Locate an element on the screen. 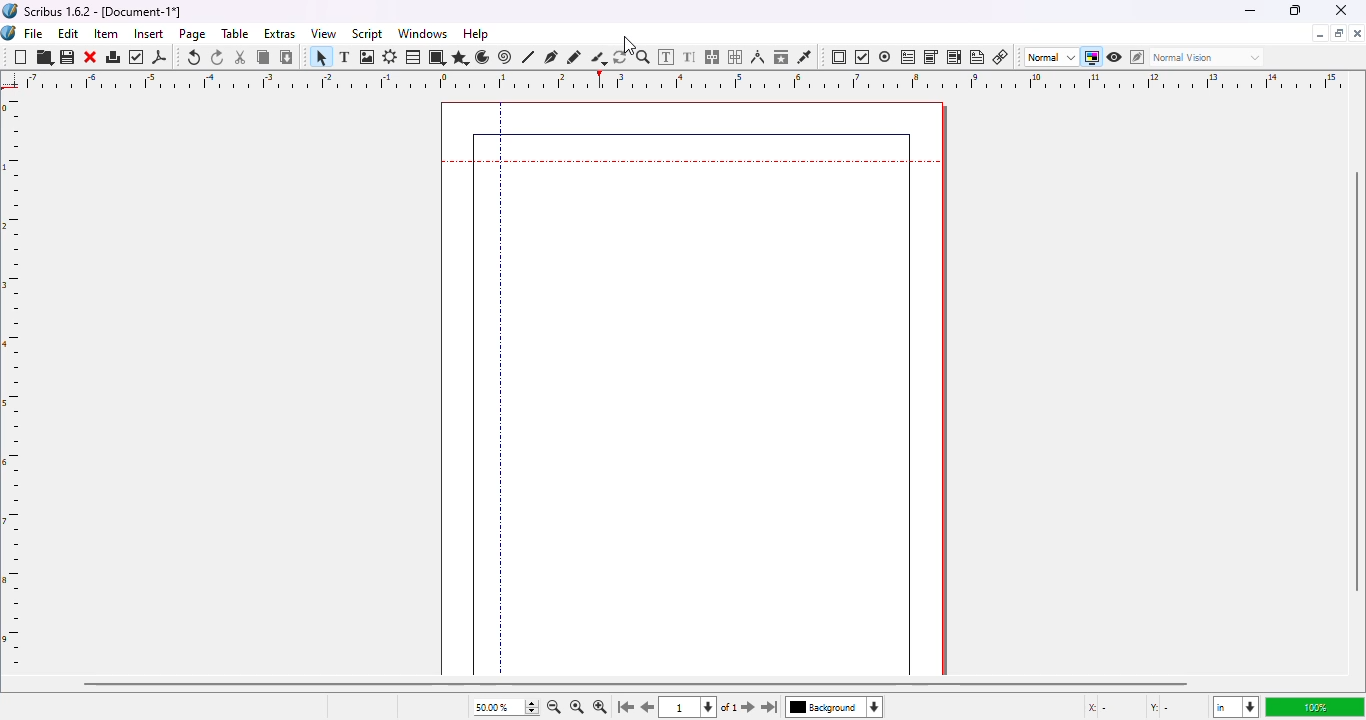 Image resolution: width=1366 pixels, height=720 pixels. render frame is located at coordinates (390, 57).